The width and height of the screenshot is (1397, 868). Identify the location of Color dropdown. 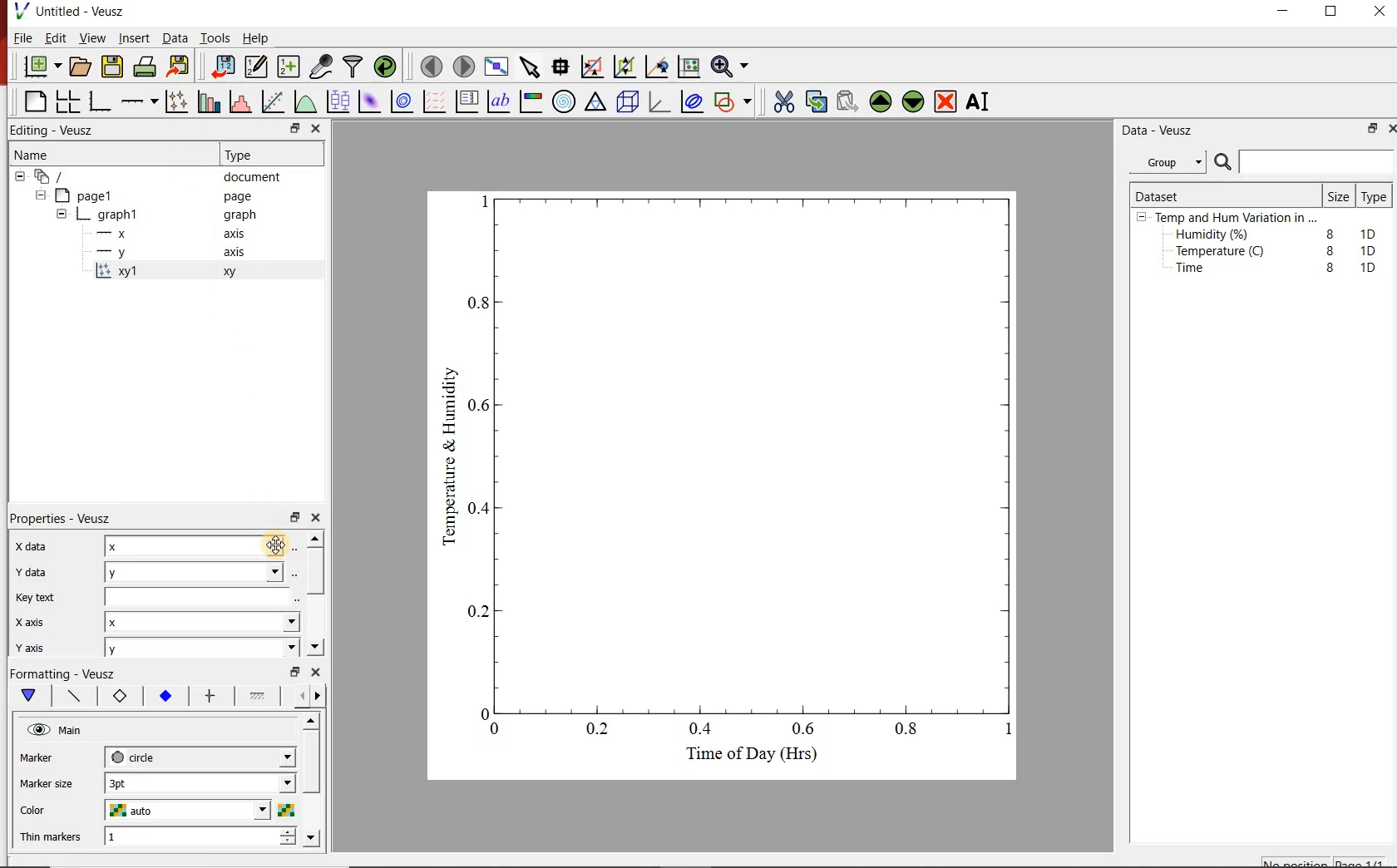
(237, 811).